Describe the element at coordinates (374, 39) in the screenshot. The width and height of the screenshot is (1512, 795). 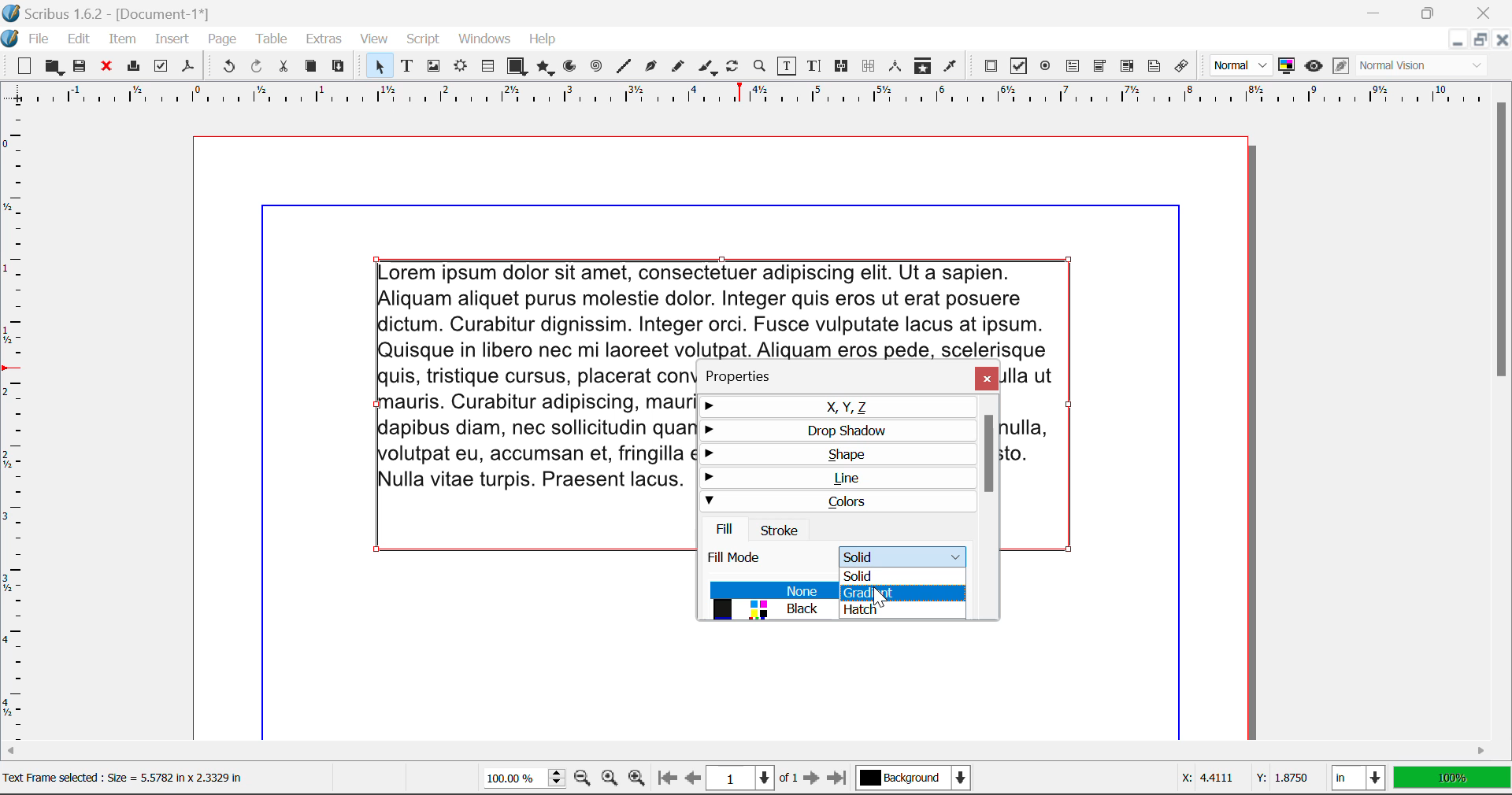
I see `View` at that location.